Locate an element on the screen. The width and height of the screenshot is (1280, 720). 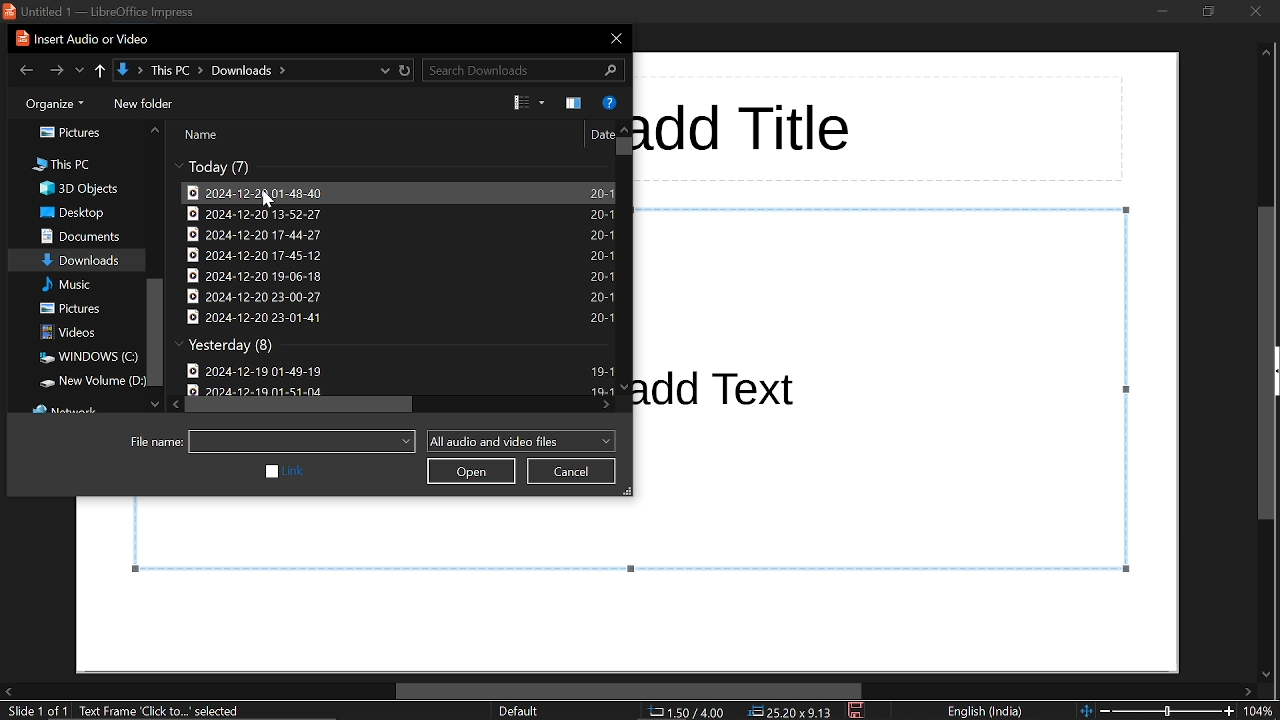
language is located at coordinates (986, 712).